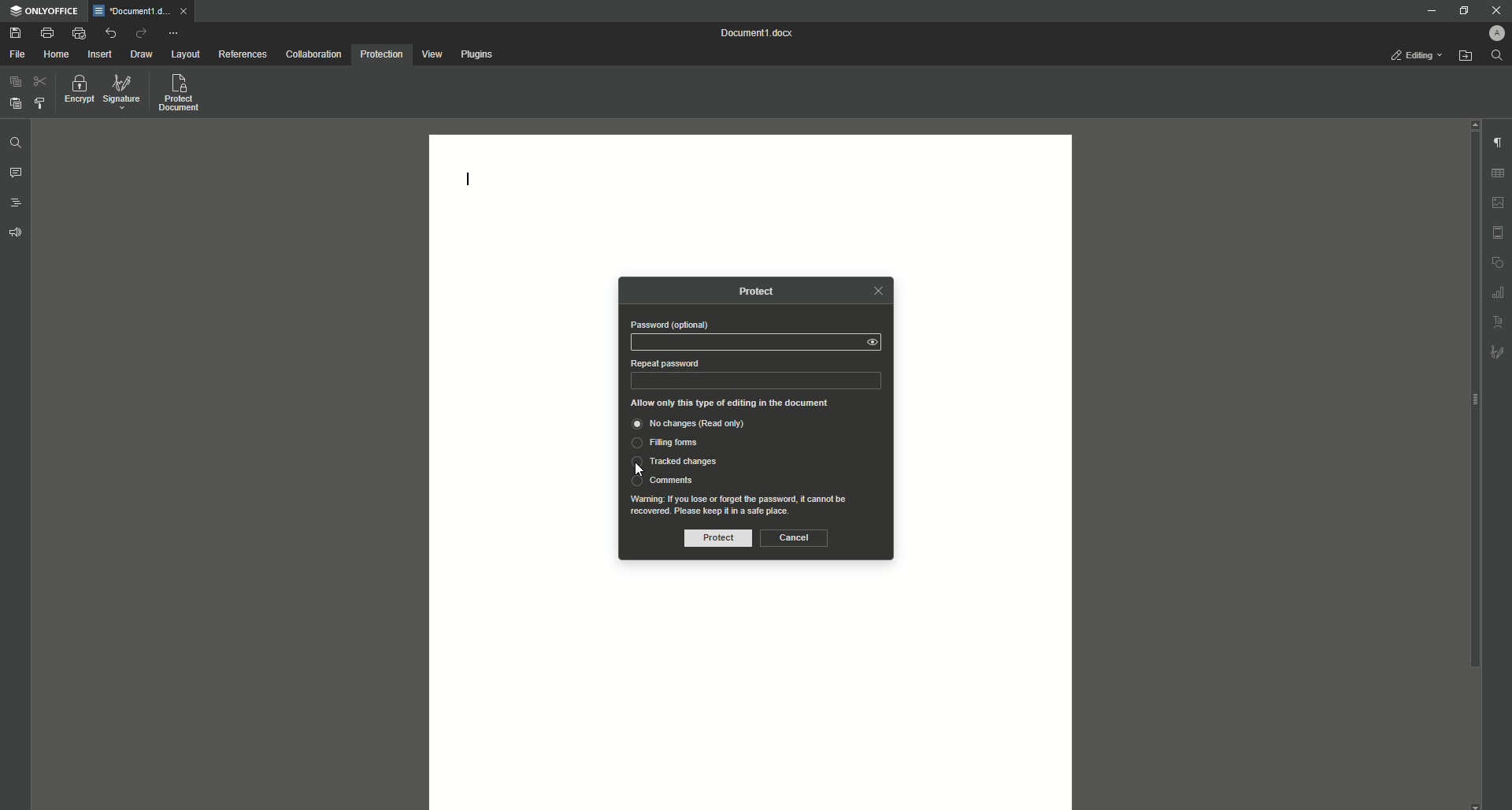  What do you see at coordinates (639, 469) in the screenshot?
I see `Cursor` at bounding box center [639, 469].